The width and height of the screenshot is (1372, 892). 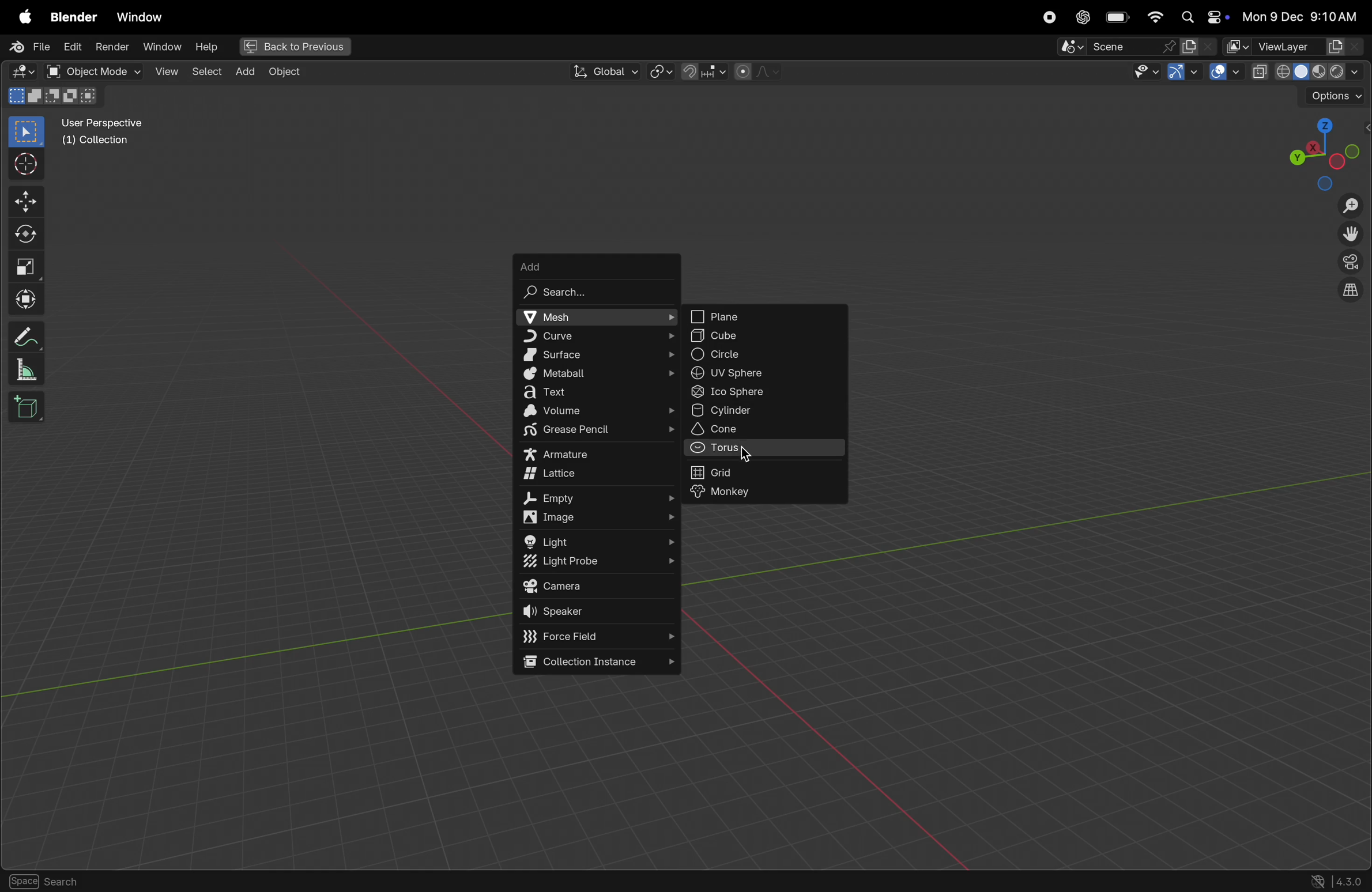 What do you see at coordinates (1081, 17) in the screenshot?
I see `chatgpt` at bounding box center [1081, 17].